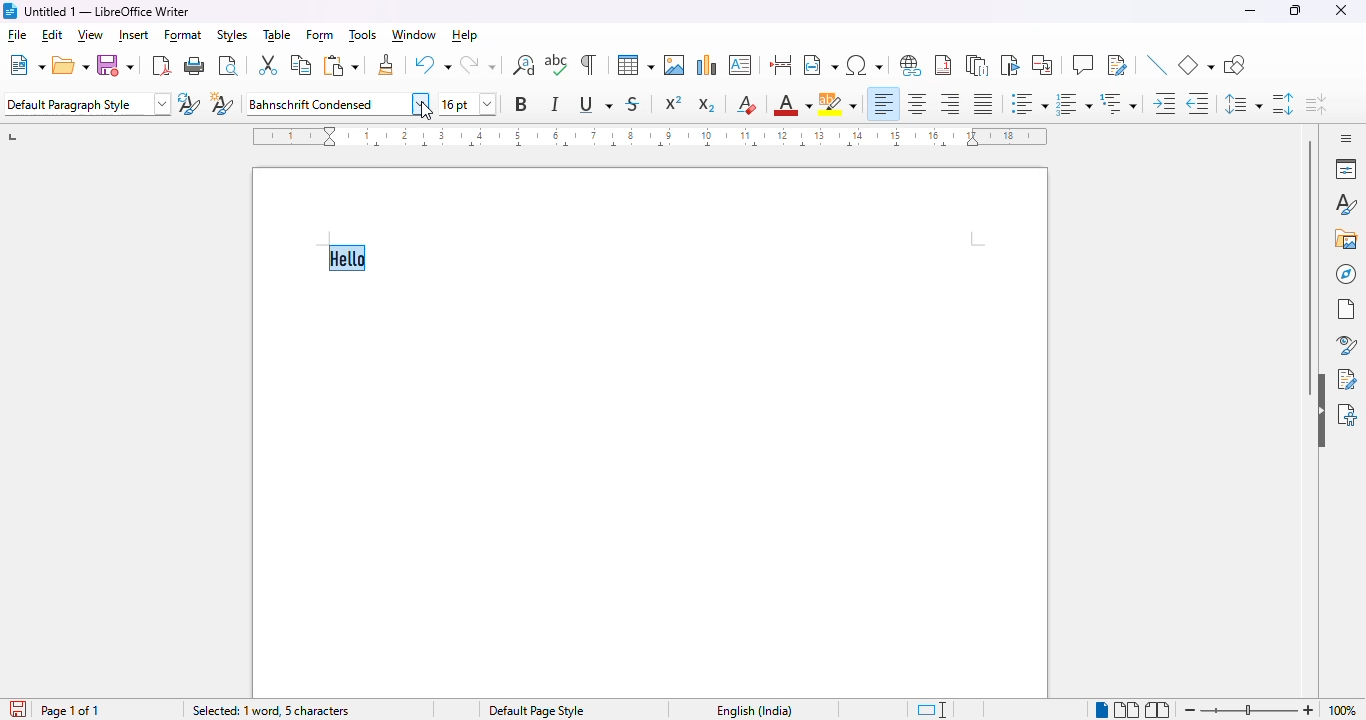  I want to click on superscript, so click(674, 103).